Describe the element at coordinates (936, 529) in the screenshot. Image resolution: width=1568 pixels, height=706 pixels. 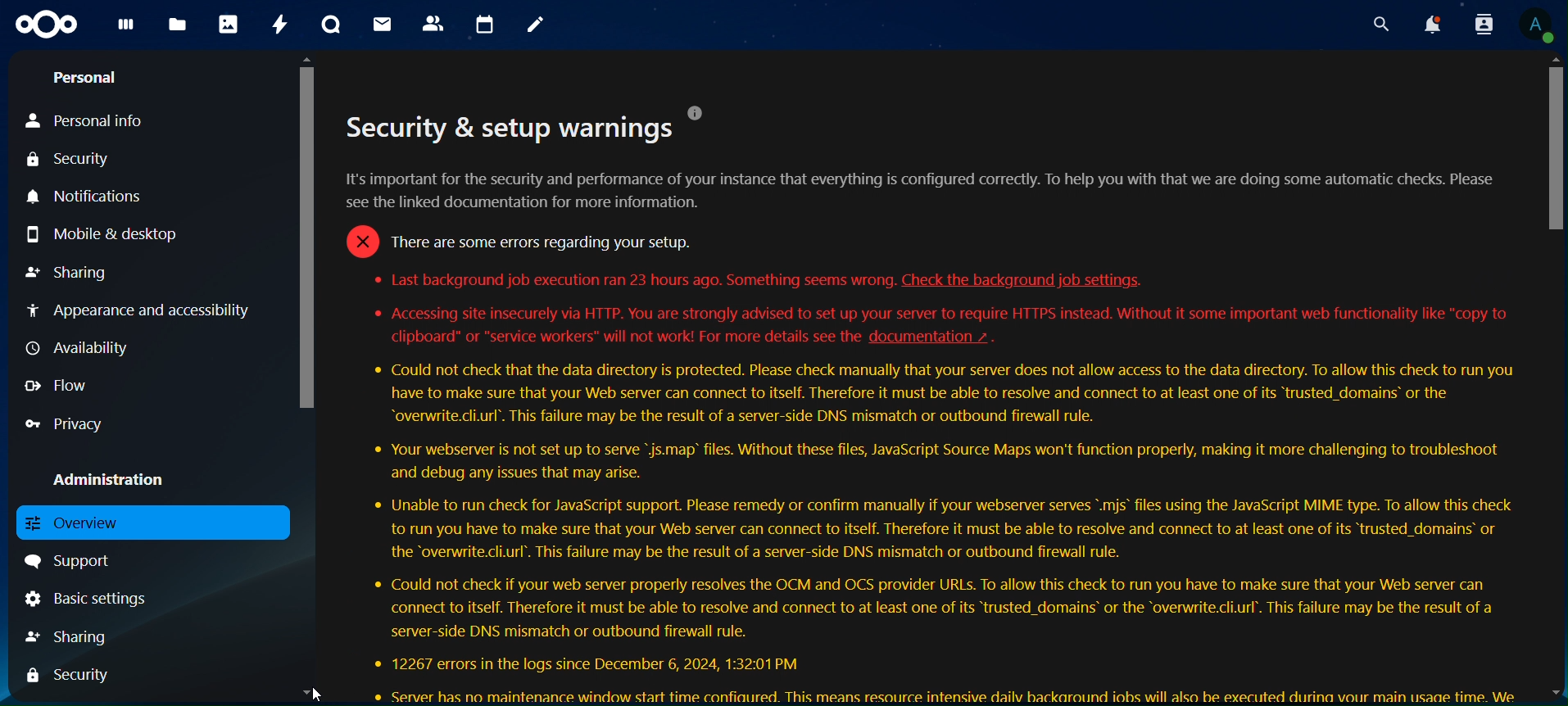
I see `* Unable to run check for JavaScript support. Please remedy or confirm manually if your webserver serves *.mis’ files using the JavaScript MIME type. To allow this check
to run you have to make sure that your Web server can connect to itself. Therefore it must be able to resolve and connect to at least one of its “trusted_domains’ or
the “overwrite.cli.url’. This failure may be the result of a server-side DNS mismatch or outbound firewall rule.` at that location.